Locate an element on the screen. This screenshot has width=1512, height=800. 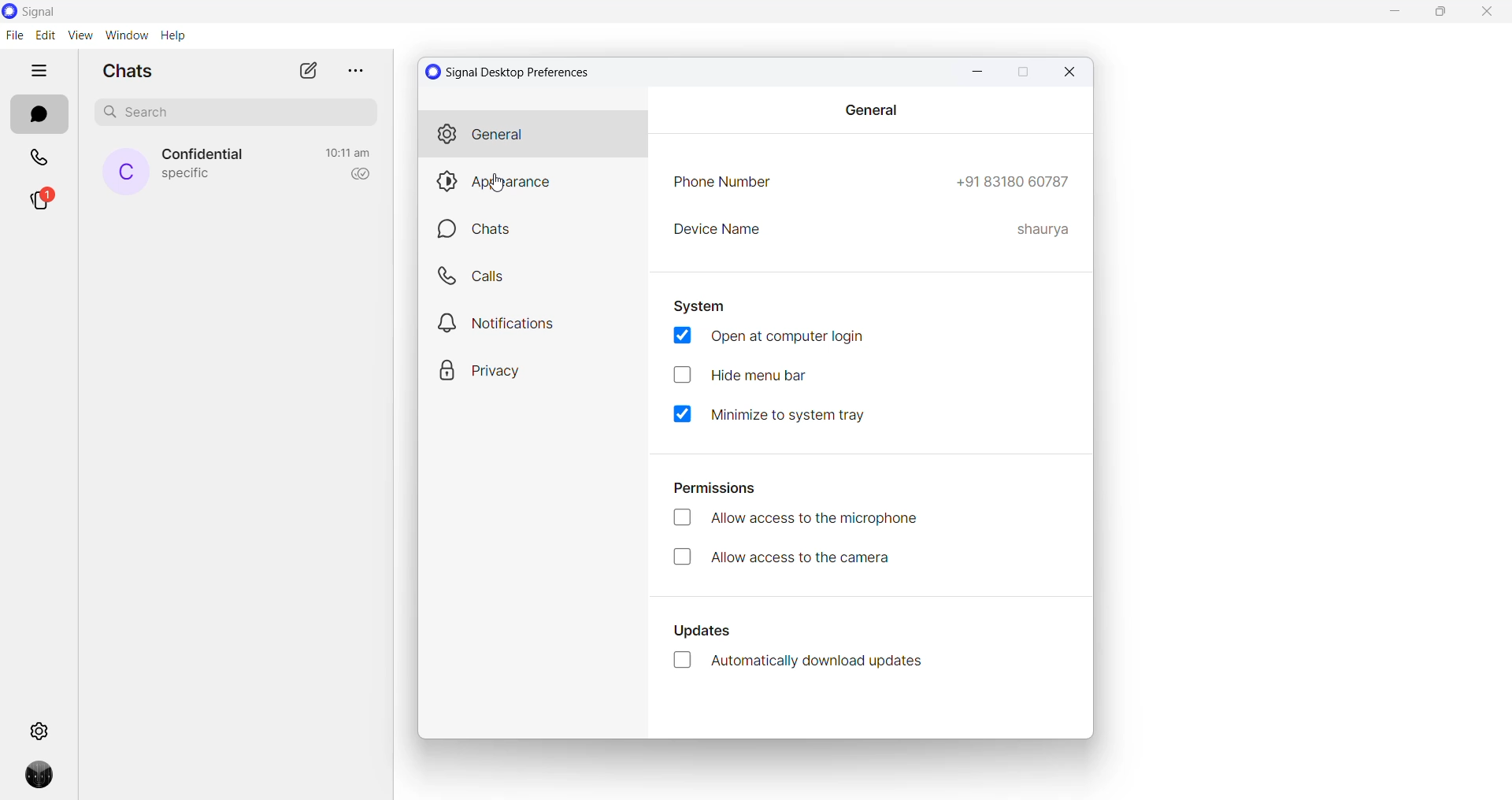
last message is located at coordinates (187, 176).